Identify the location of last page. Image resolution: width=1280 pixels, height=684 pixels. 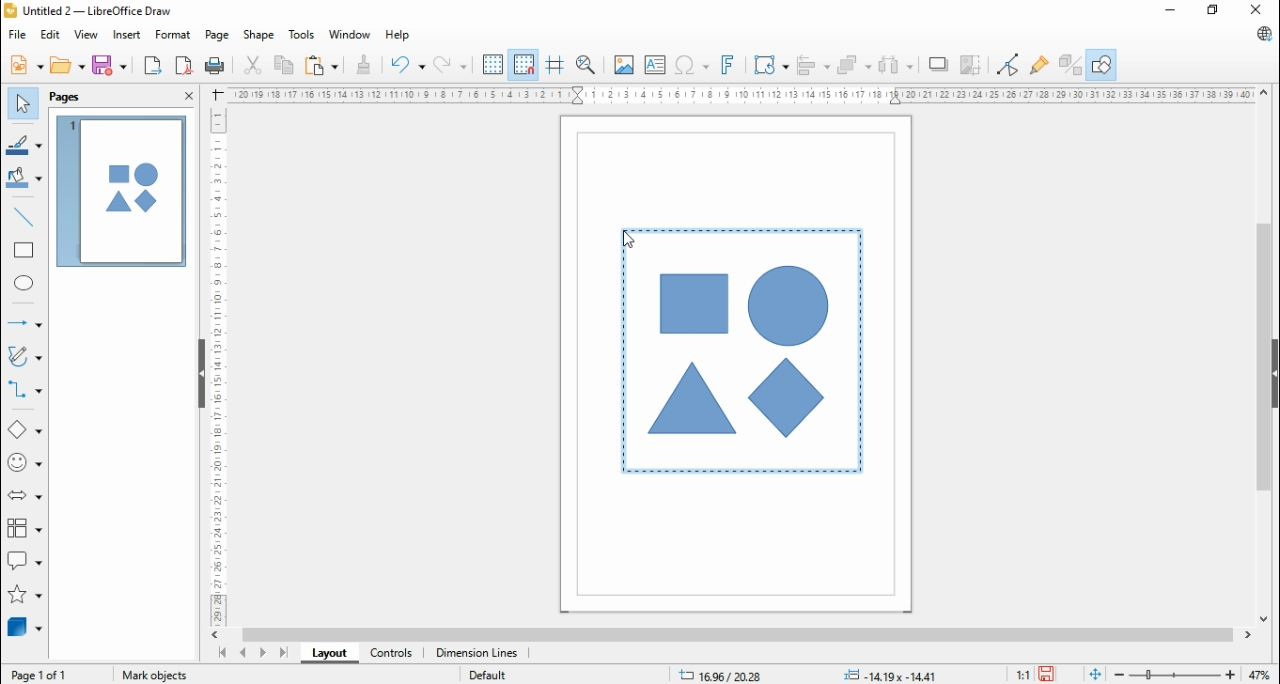
(283, 654).